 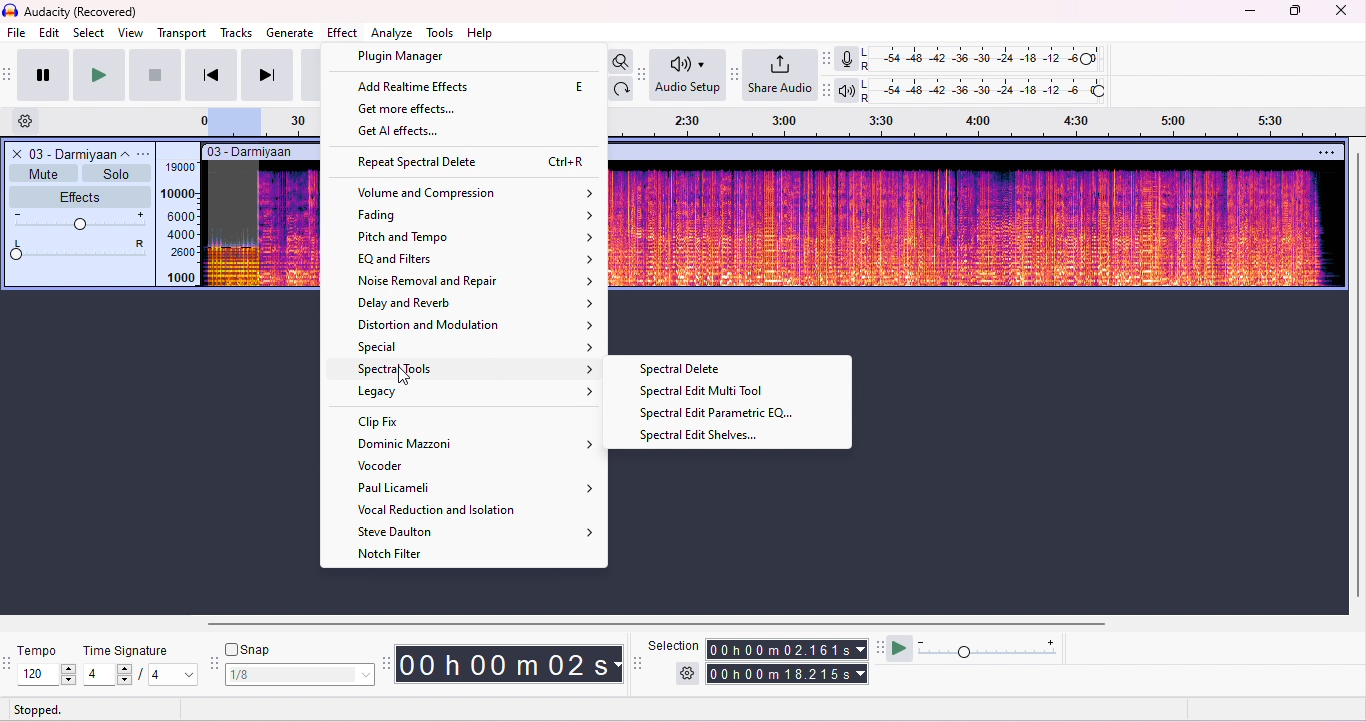 I want to click on get more effects, so click(x=417, y=112).